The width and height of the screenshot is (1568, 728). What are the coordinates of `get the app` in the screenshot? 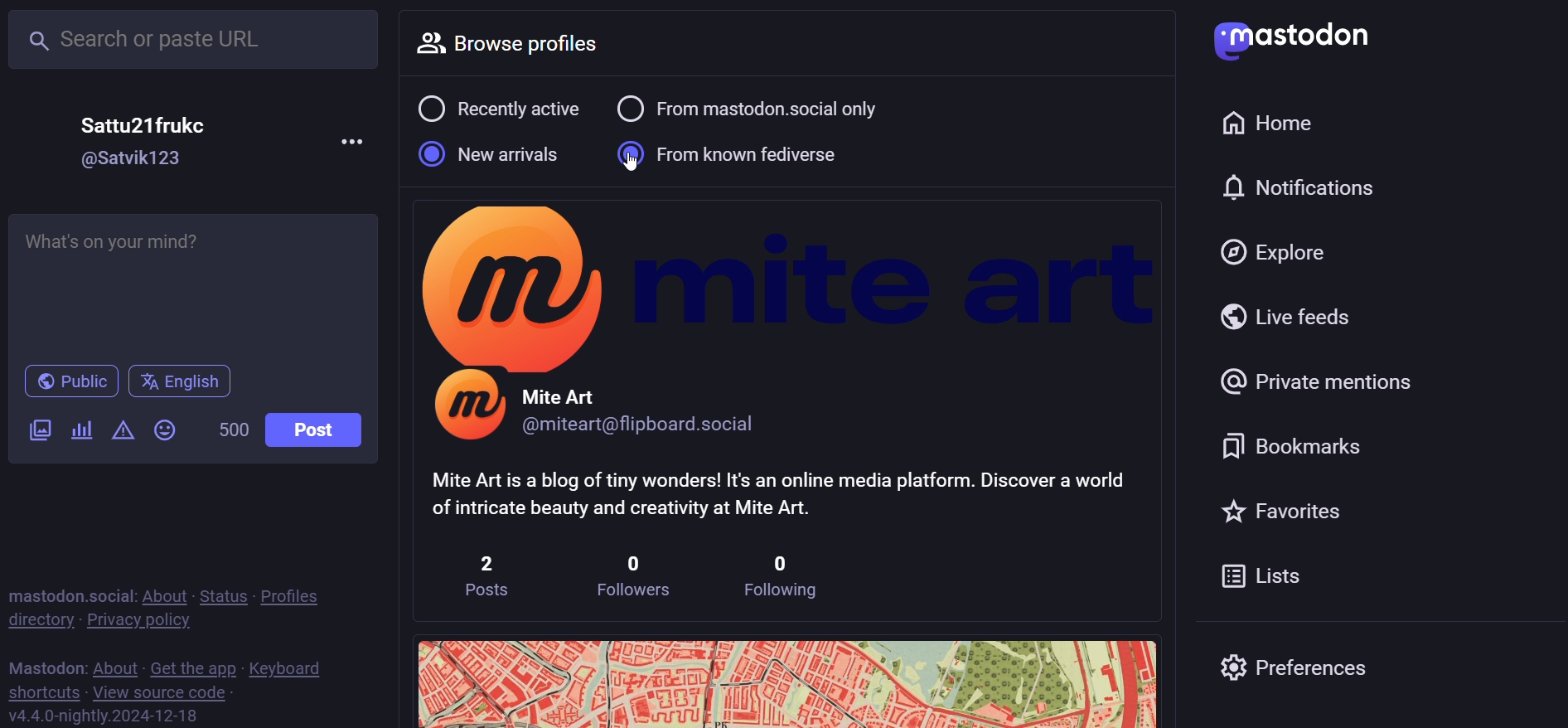 It's located at (193, 667).